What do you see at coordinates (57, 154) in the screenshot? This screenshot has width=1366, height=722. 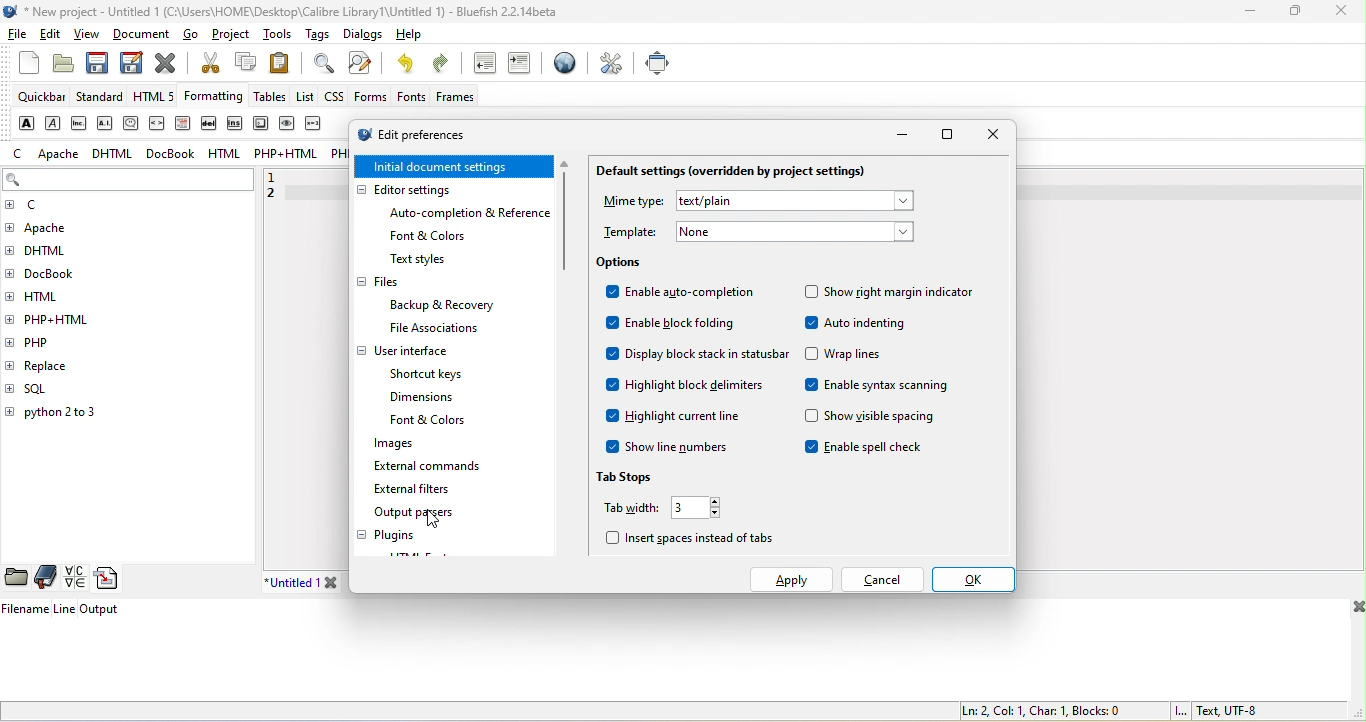 I see `apache` at bounding box center [57, 154].